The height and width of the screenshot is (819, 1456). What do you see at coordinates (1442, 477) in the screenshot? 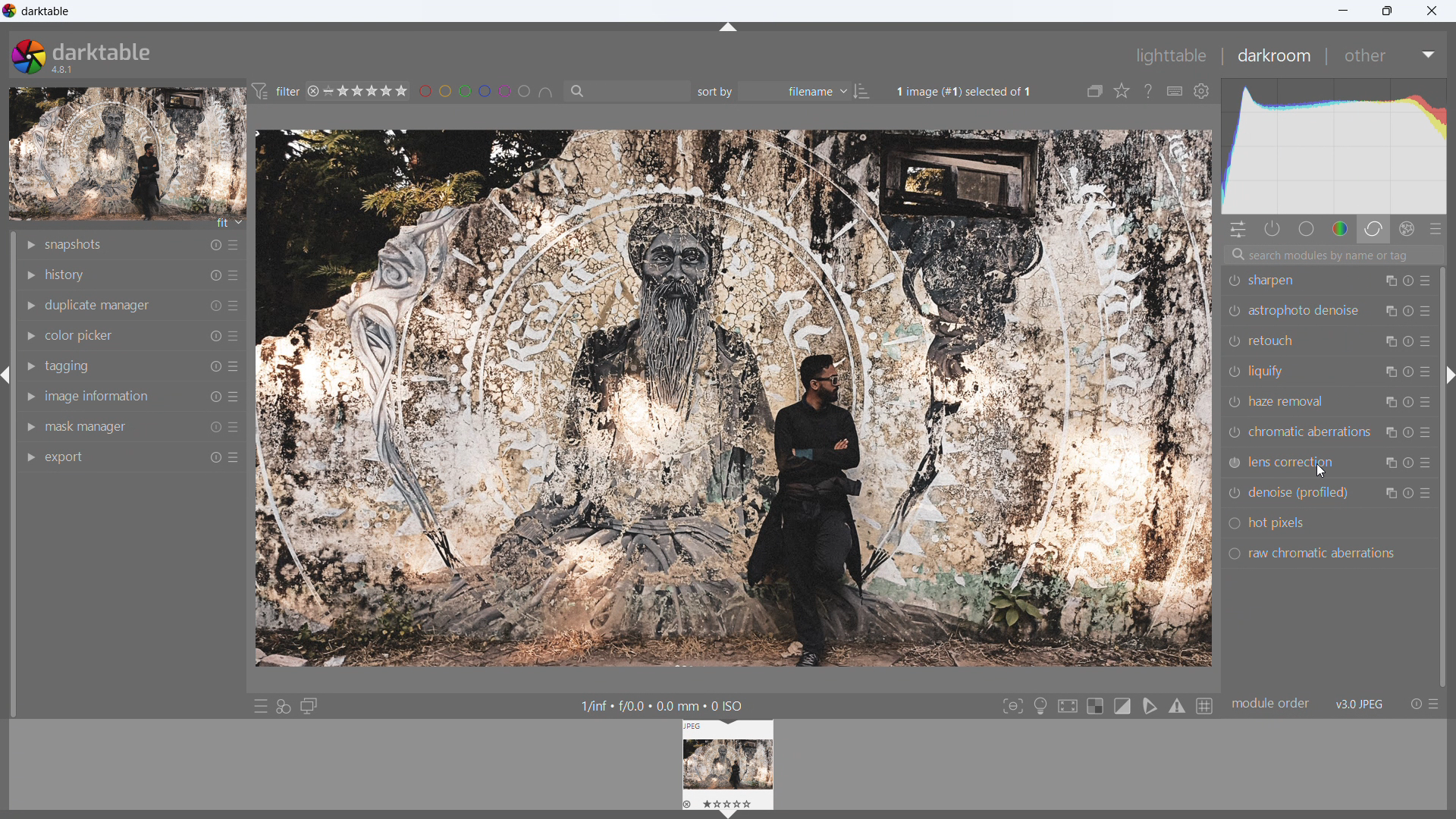
I see `scrollbar` at bounding box center [1442, 477].